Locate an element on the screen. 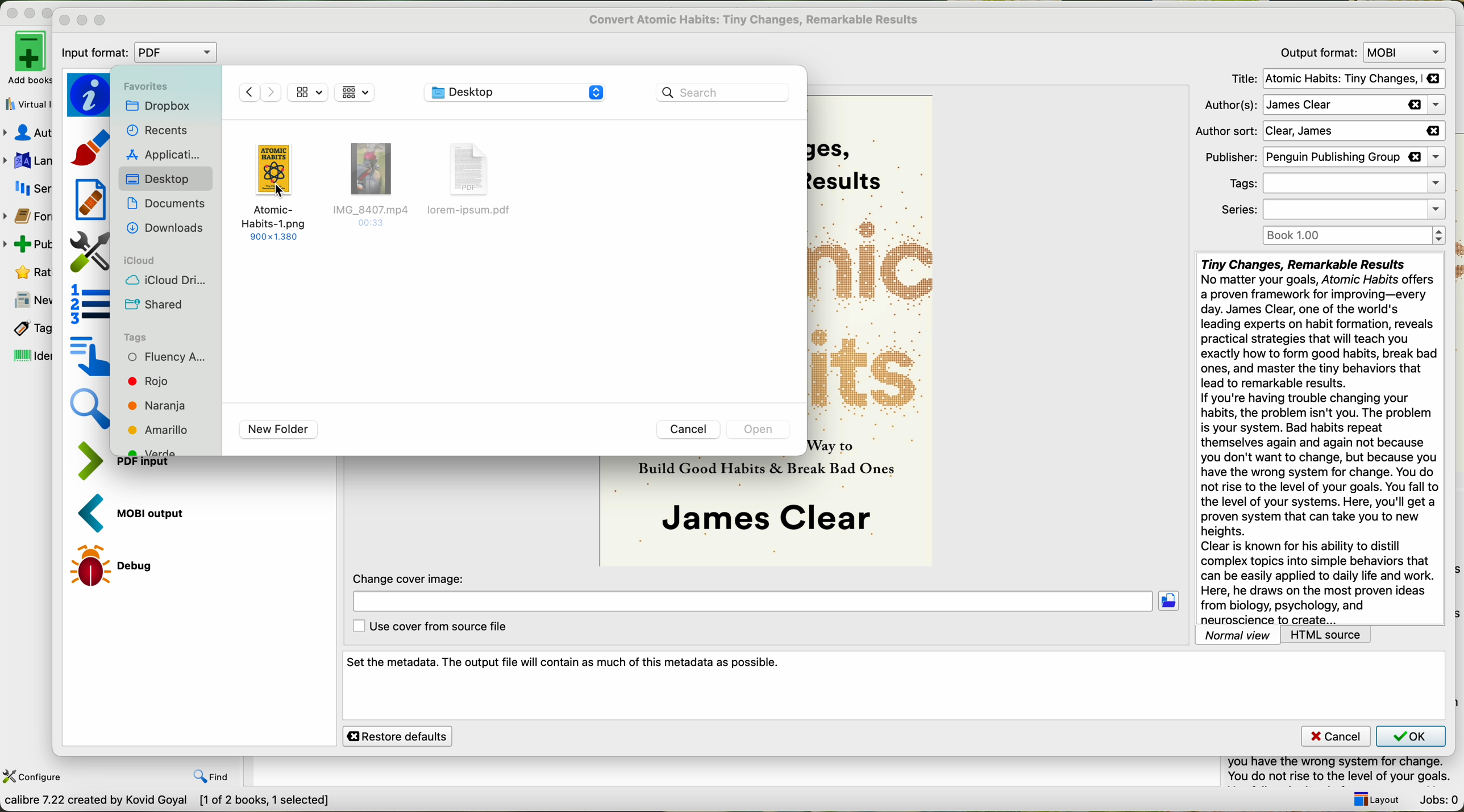  disable buttons is located at coordinates (28, 11).